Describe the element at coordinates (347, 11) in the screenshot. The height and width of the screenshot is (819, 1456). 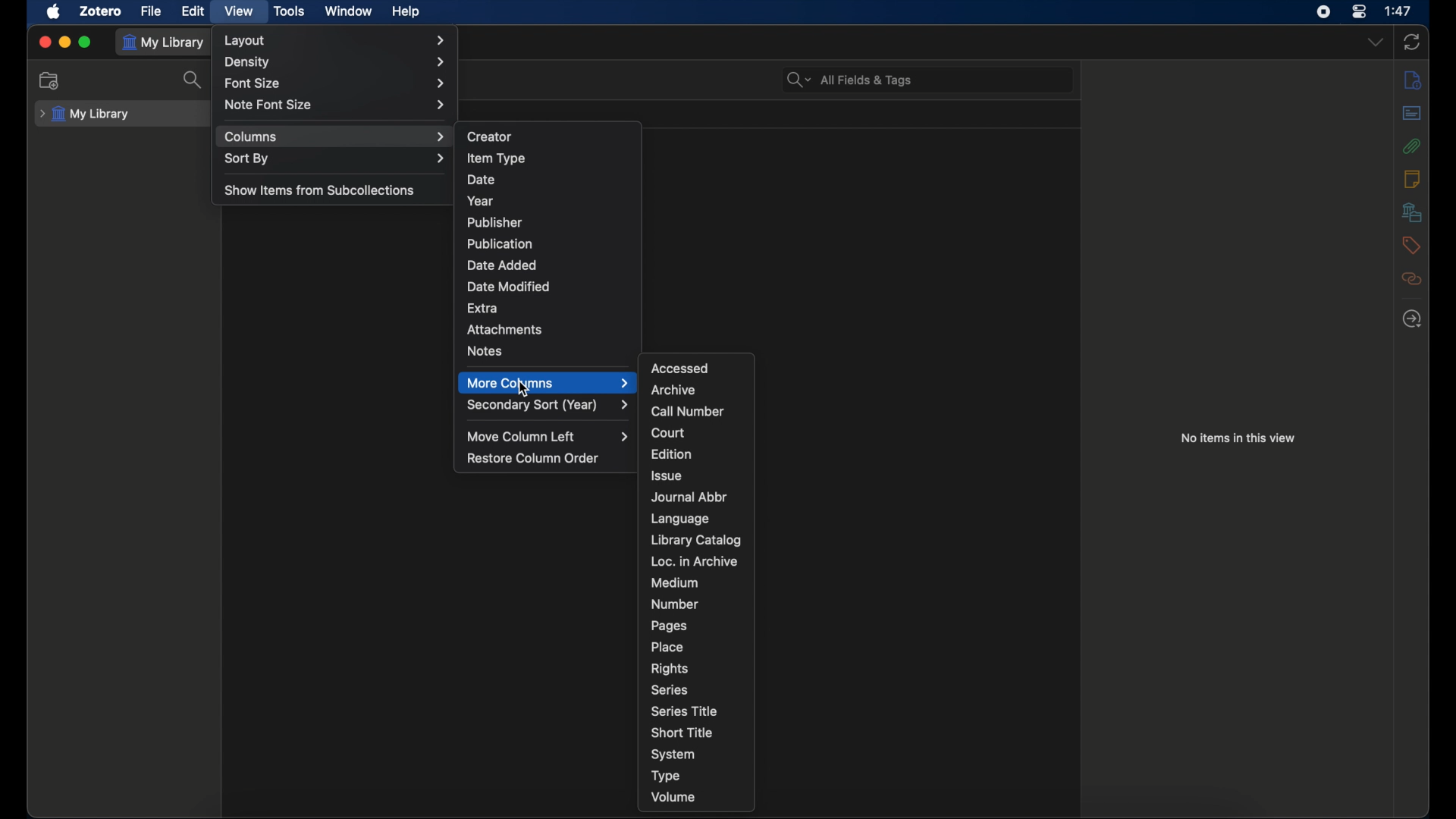
I see `window` at that location.